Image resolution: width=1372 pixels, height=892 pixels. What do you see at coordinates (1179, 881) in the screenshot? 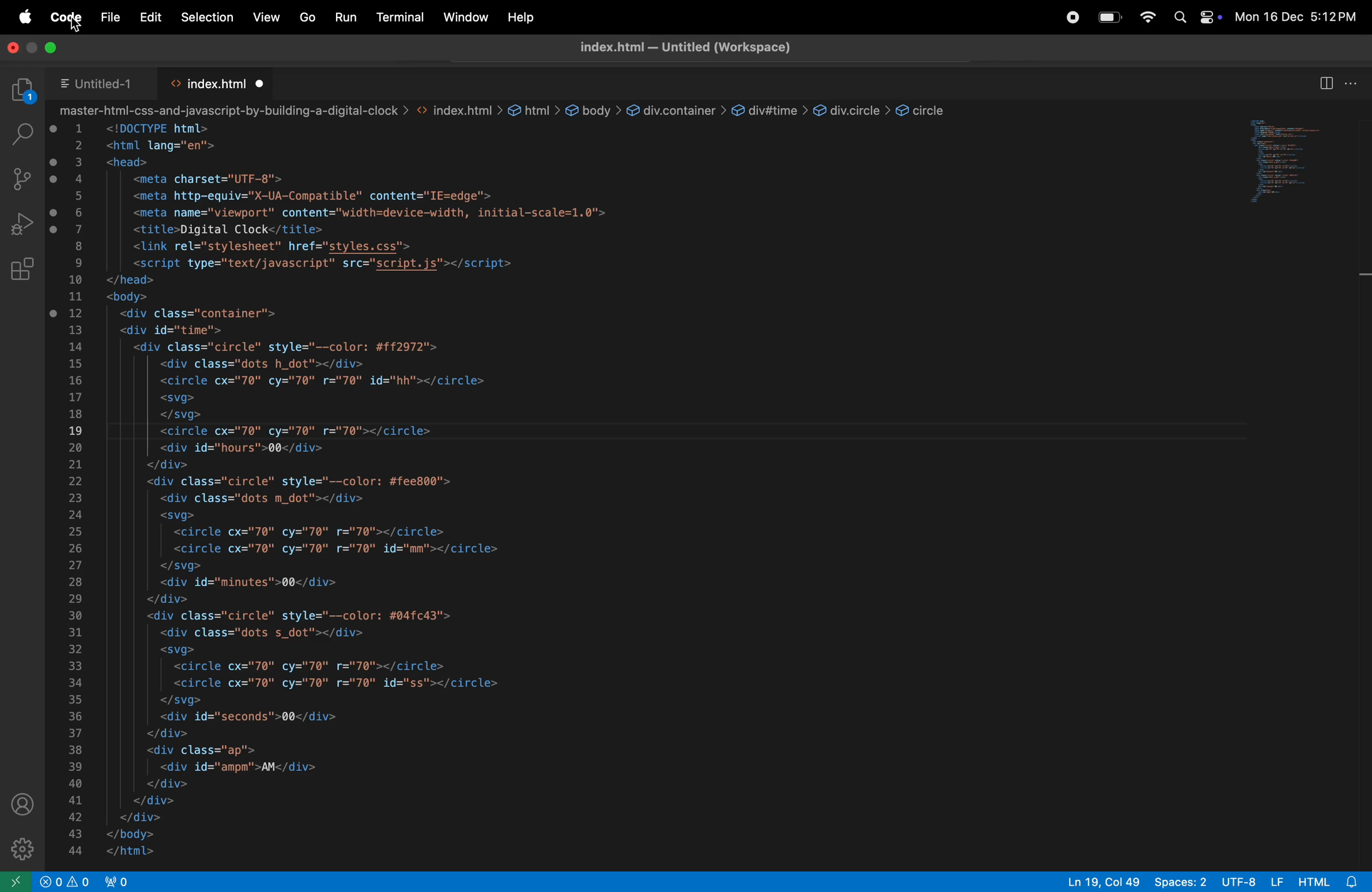
I see `spaces: 2` at bounding box center [1179, 881].